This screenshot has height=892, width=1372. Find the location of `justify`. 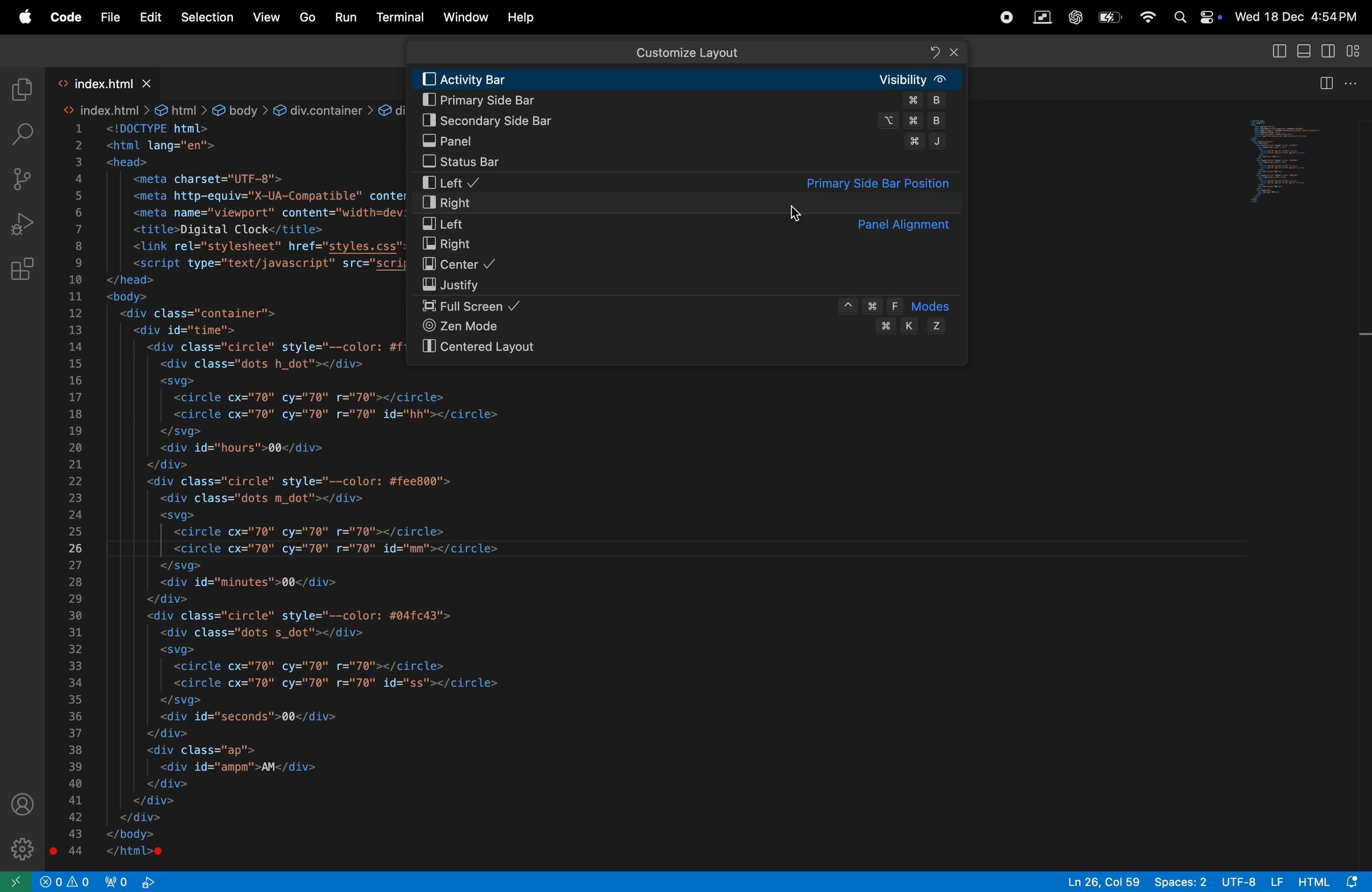

justify is located at coordinates (691, 285).